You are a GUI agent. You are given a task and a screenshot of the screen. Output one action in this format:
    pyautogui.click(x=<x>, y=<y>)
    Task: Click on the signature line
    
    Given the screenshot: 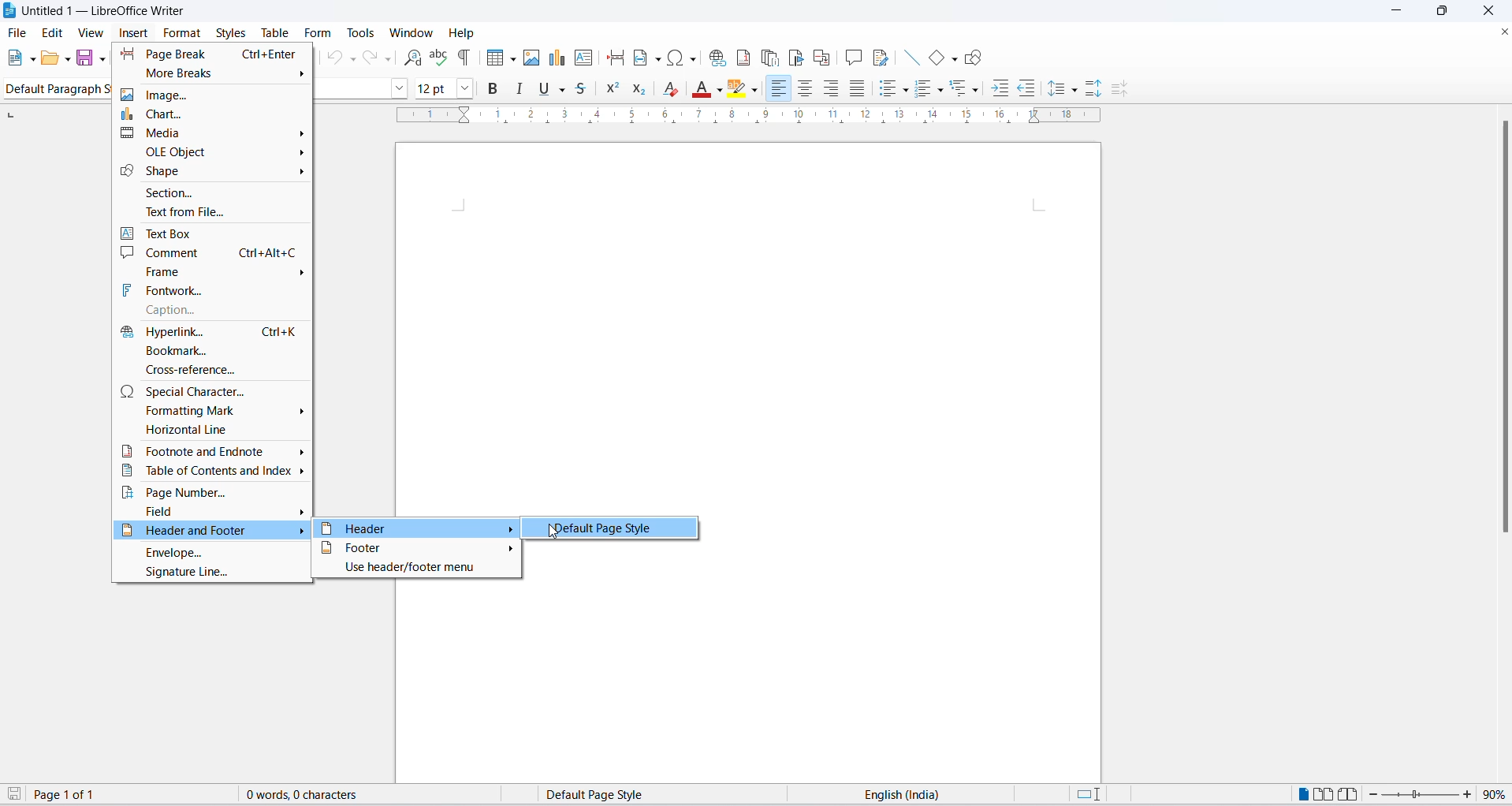 What is the action you would take?
    pyautogui.click(x=210, y=577)
    